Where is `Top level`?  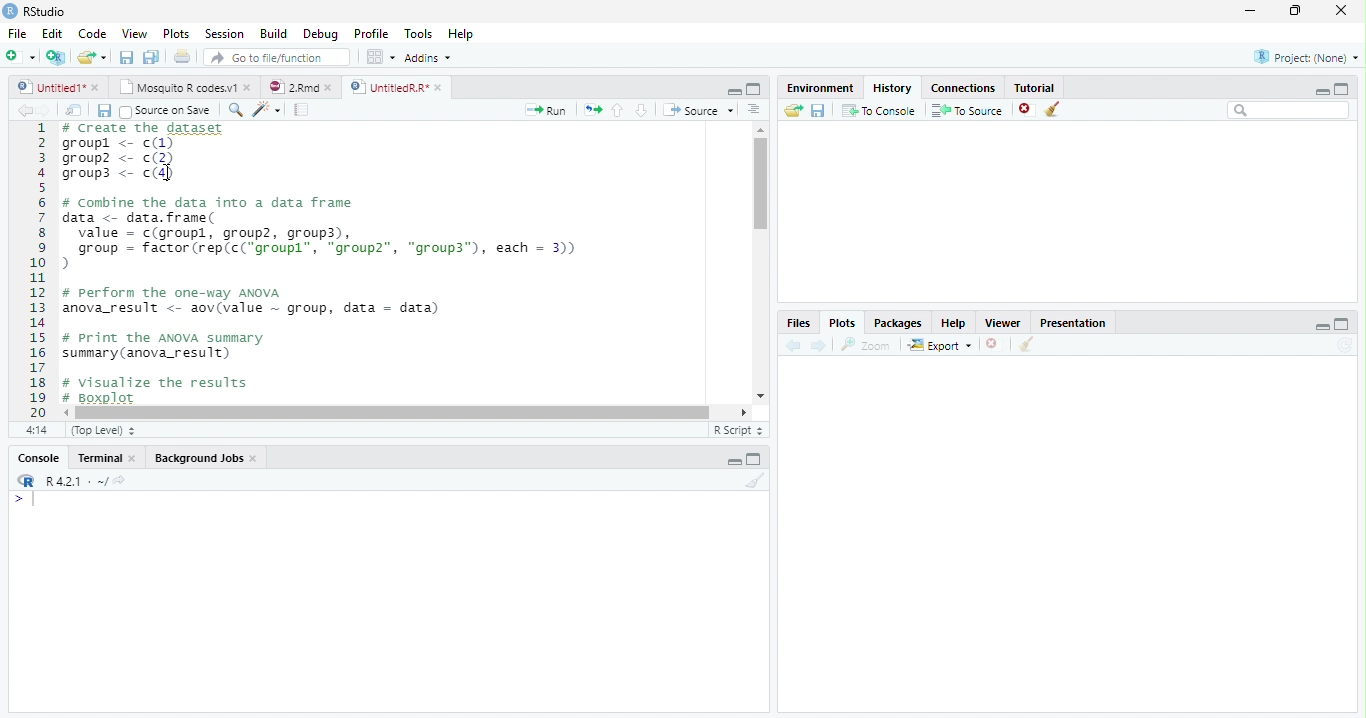
Top level is located at coordinates (106, 431).